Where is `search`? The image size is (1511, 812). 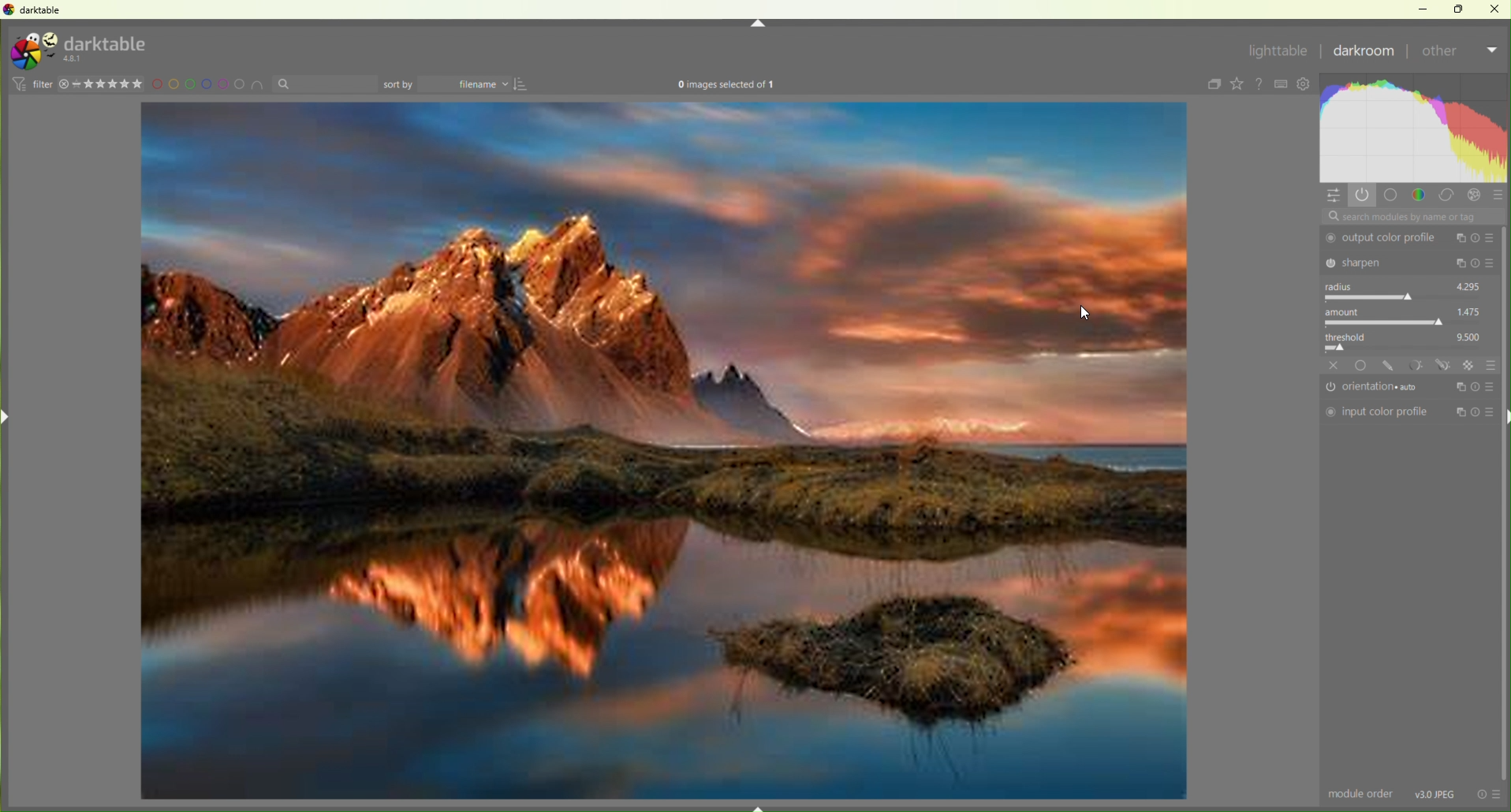 search is located at coordinates (1412, 217).